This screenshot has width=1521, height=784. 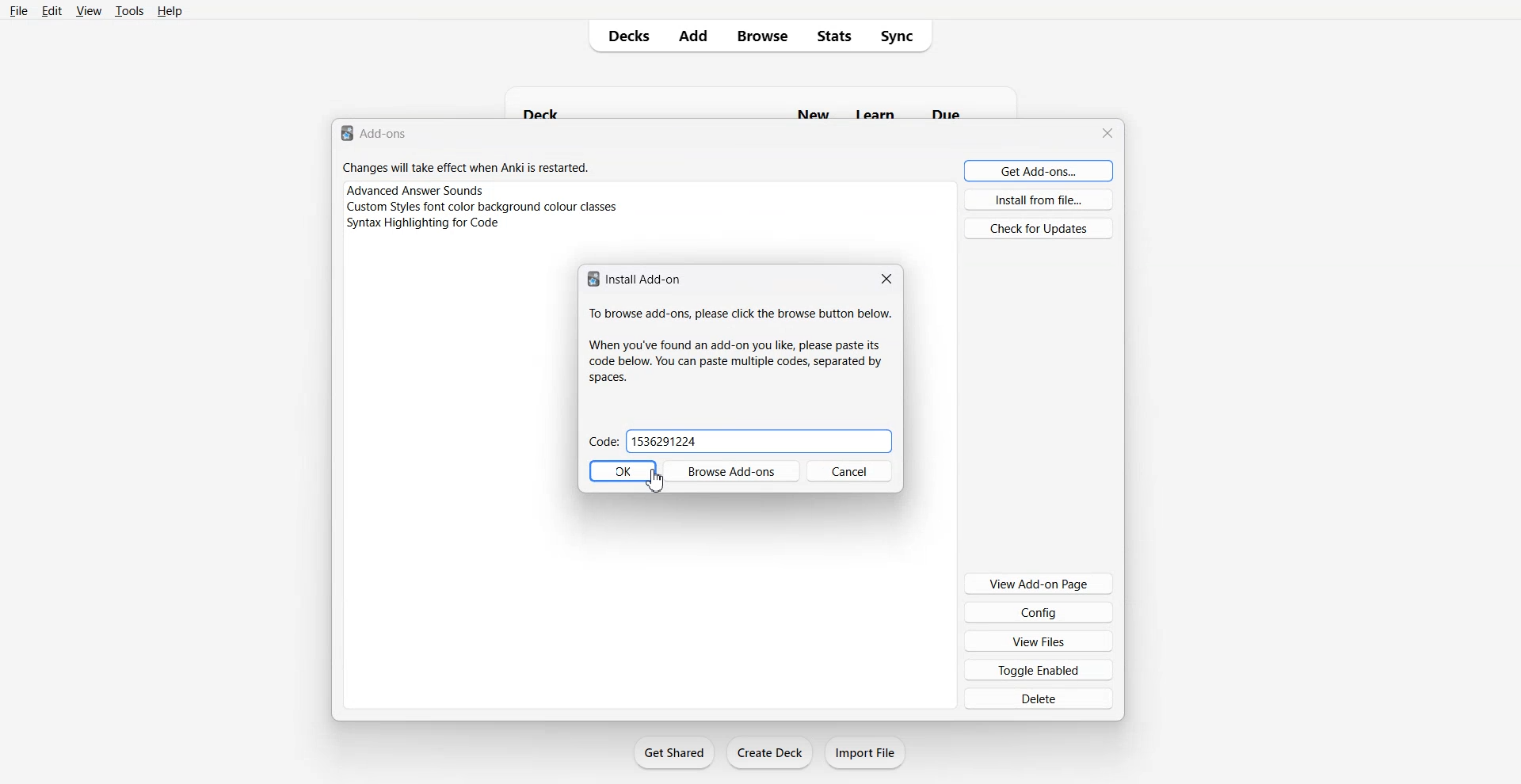 What do you see at coordinates (170, 10) in the screenshot?
I see `Help` at bounding box center [170, 10].